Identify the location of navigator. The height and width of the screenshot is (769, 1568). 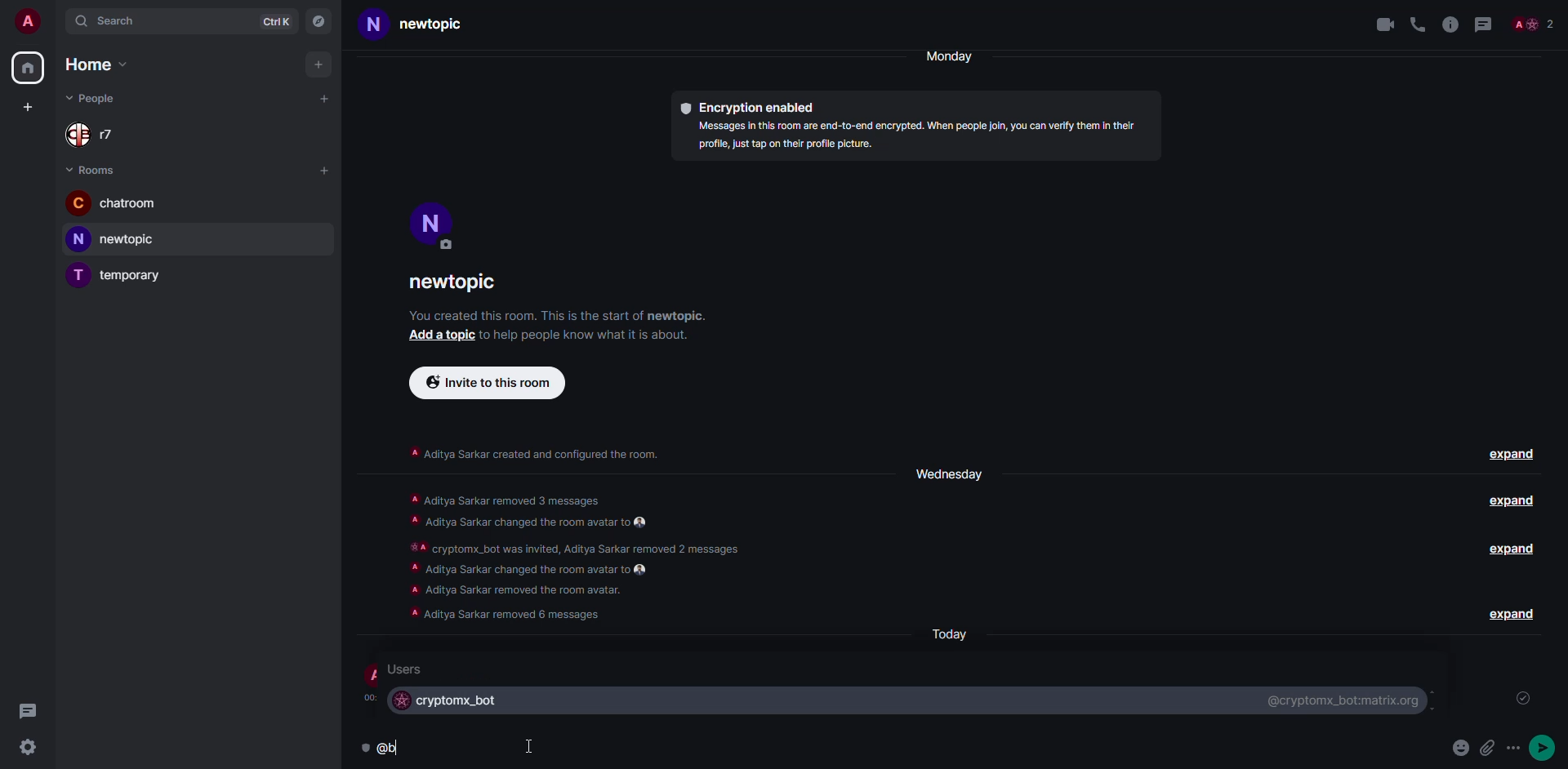
(320, 21).